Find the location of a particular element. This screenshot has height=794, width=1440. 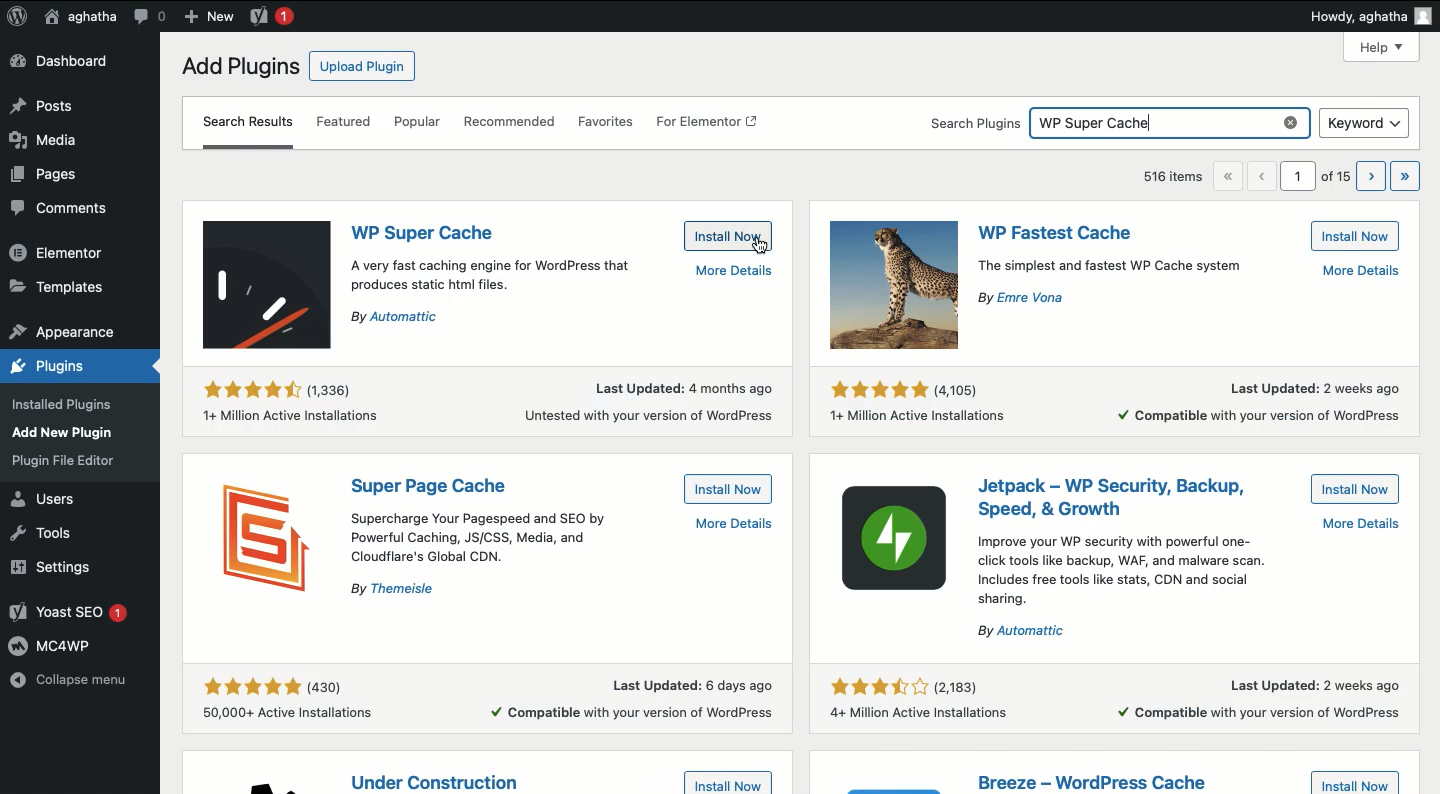

Upload plugin is located at coordinates (360, 66).